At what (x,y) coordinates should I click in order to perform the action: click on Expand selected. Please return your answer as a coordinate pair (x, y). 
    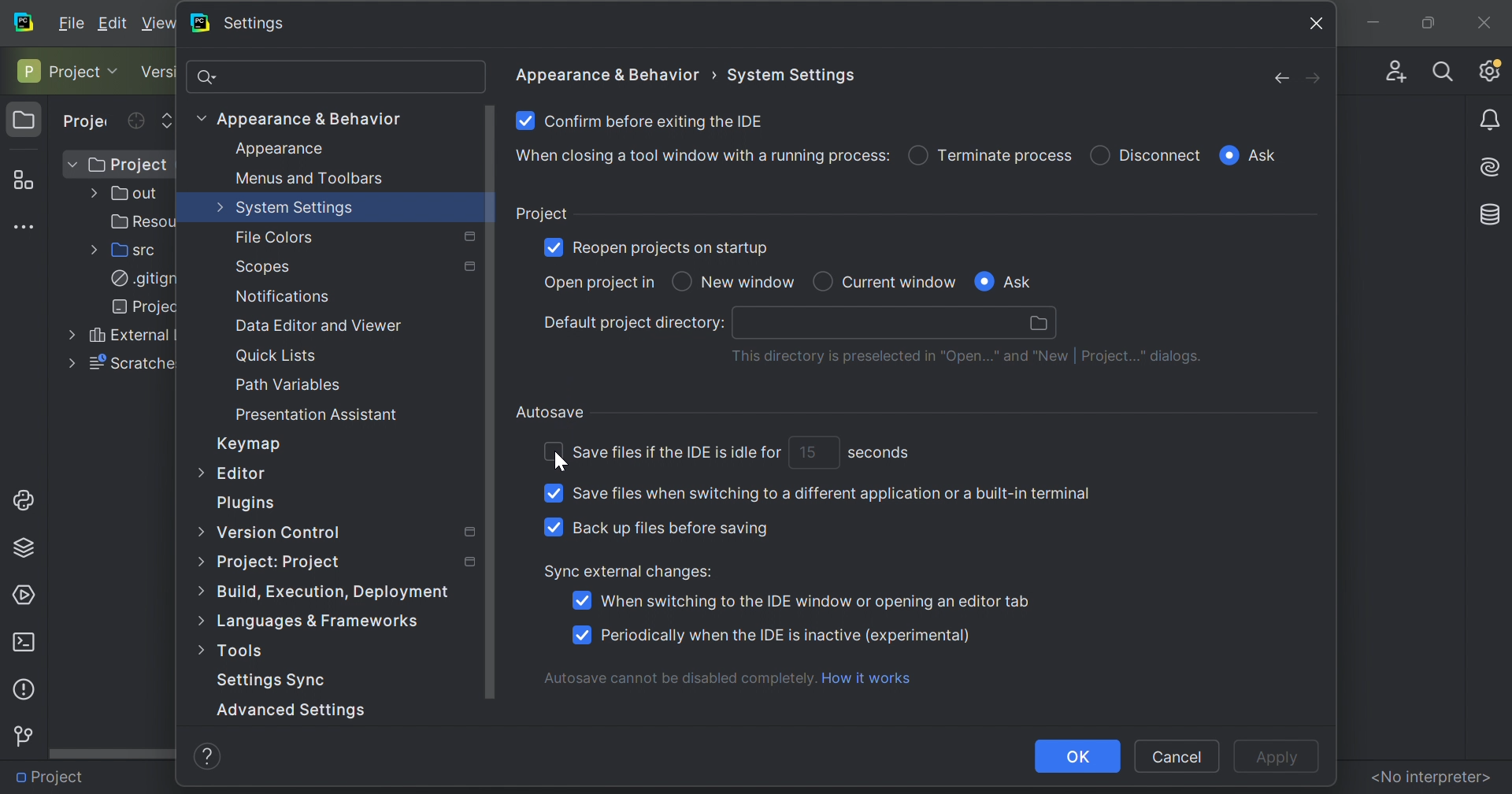
    Looking at the image, I should click on (168, 119).